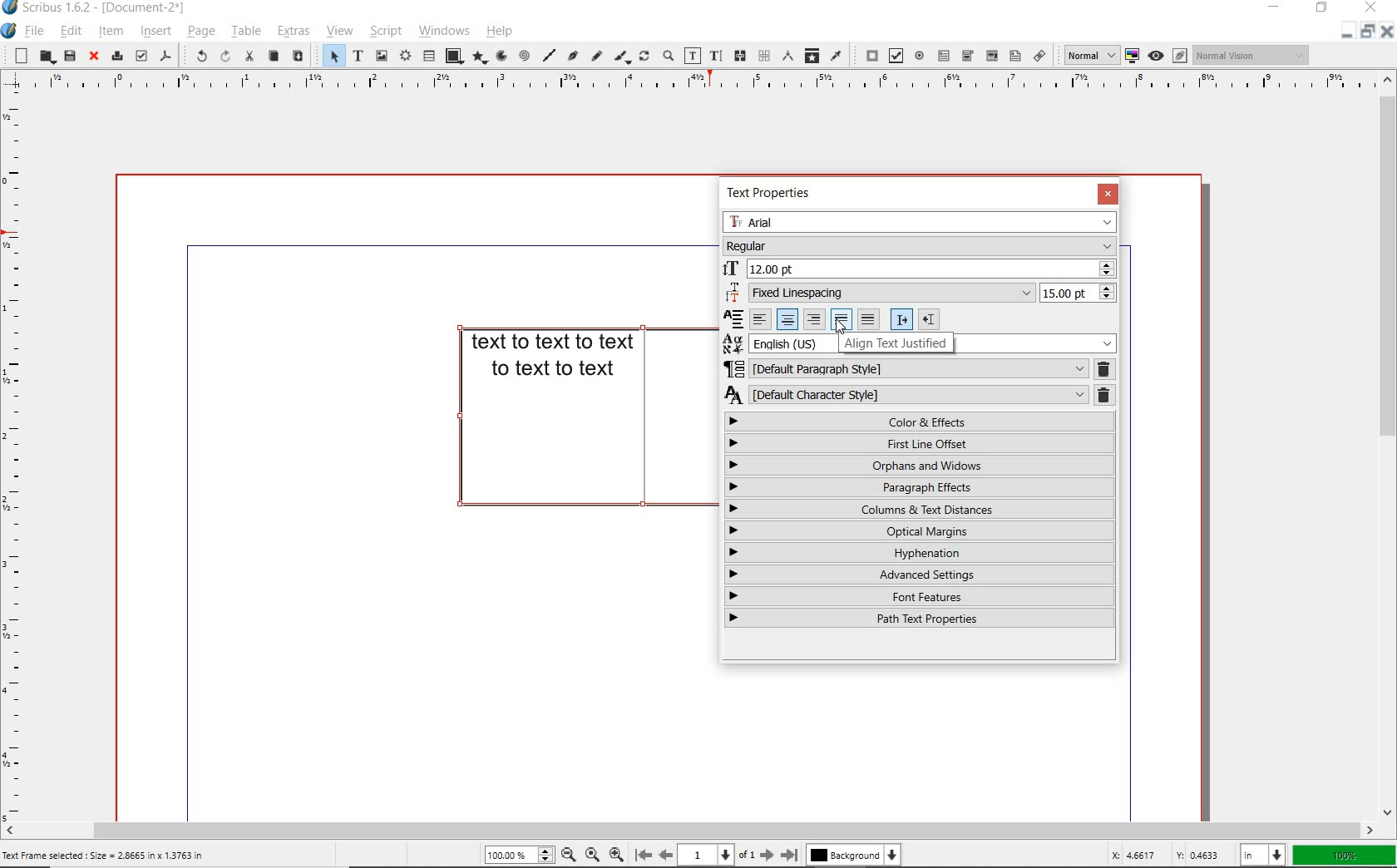 This screenshot has height=868, width=1397. I want to click on unlink text frames, so click(763, 57).